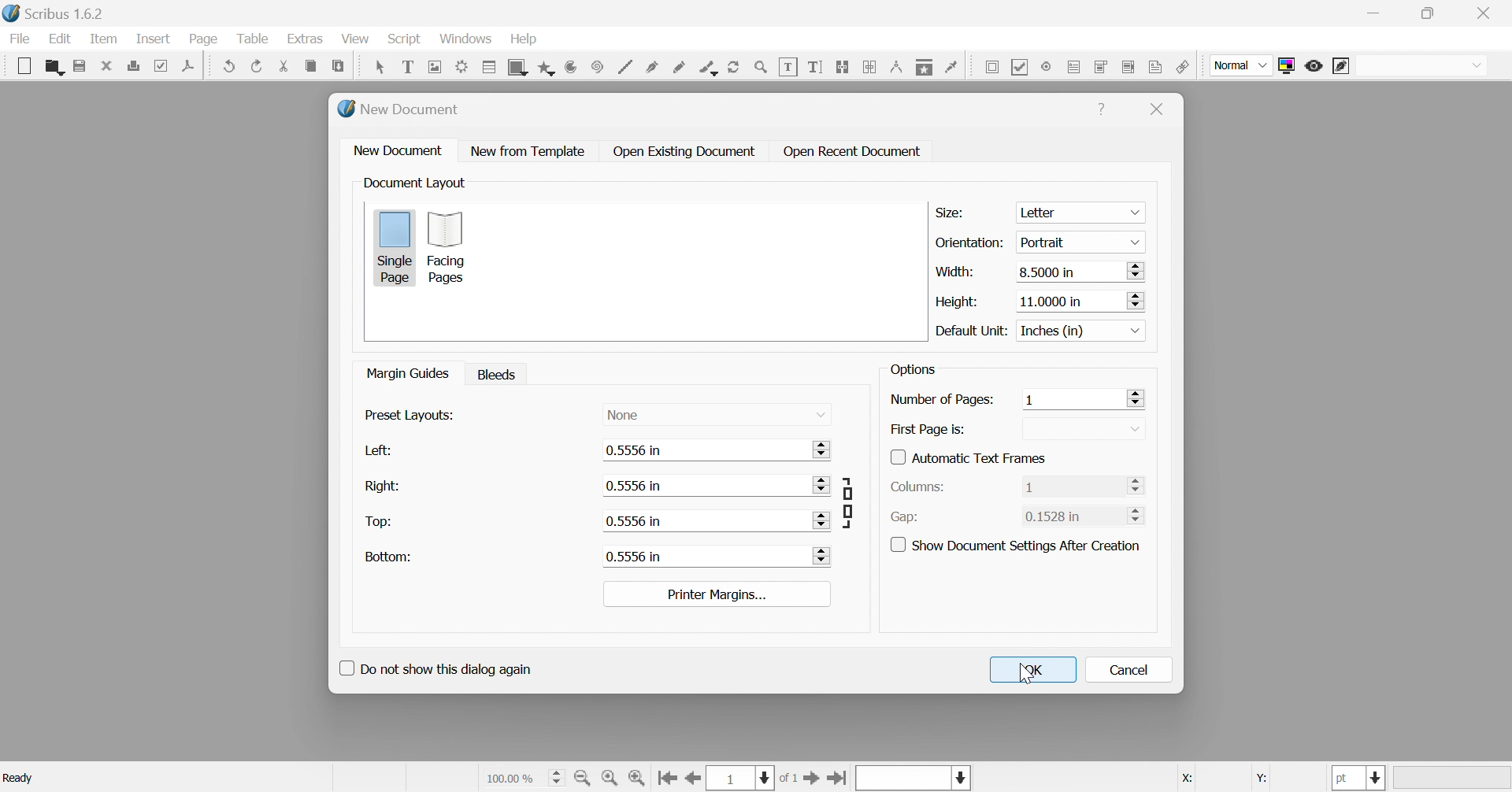  Describe the element at coordinates (409, 373) in the screenshot. I see `margin guides` at that location.